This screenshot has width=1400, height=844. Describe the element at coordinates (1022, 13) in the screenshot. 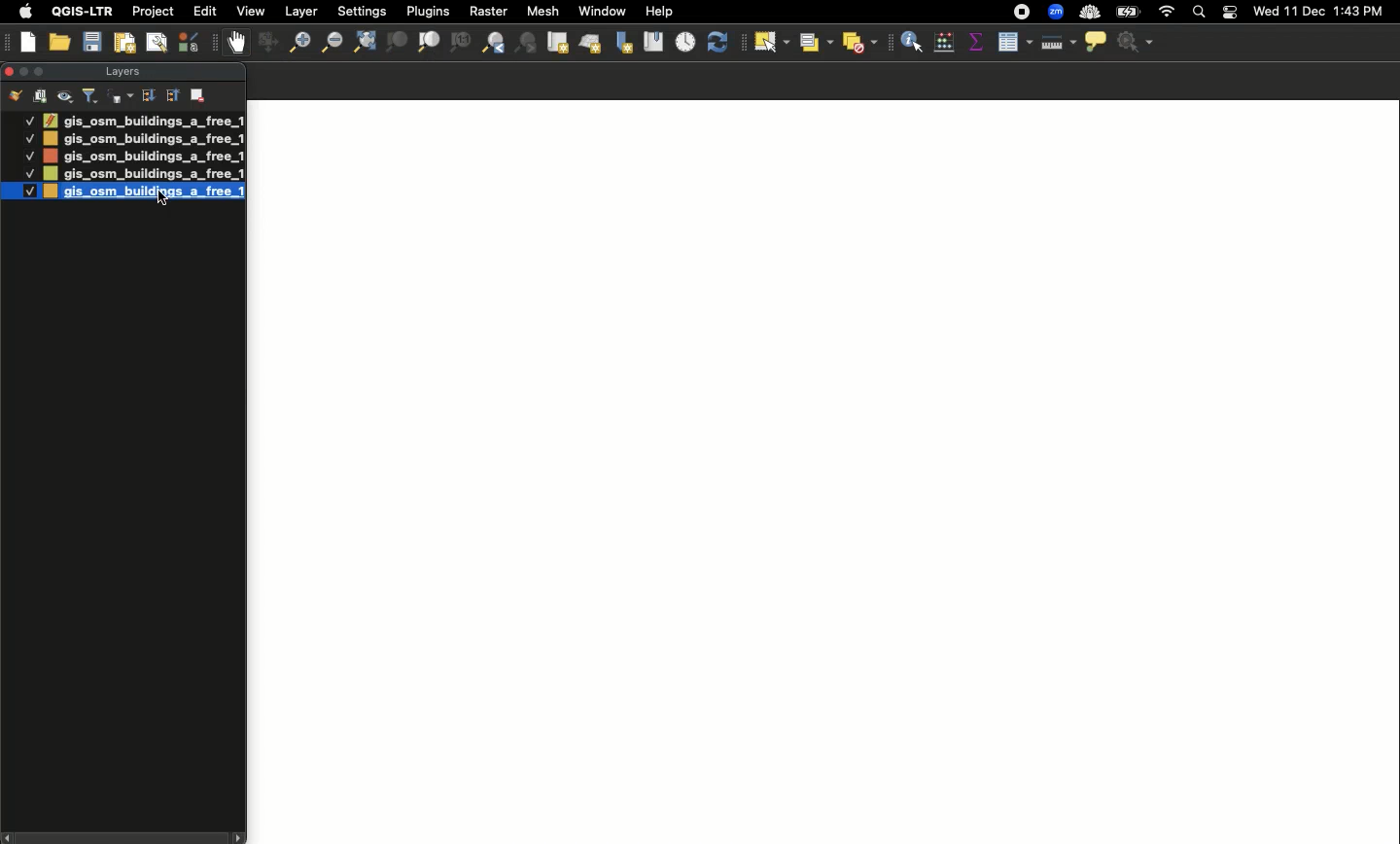

I see `Recording` at that location.